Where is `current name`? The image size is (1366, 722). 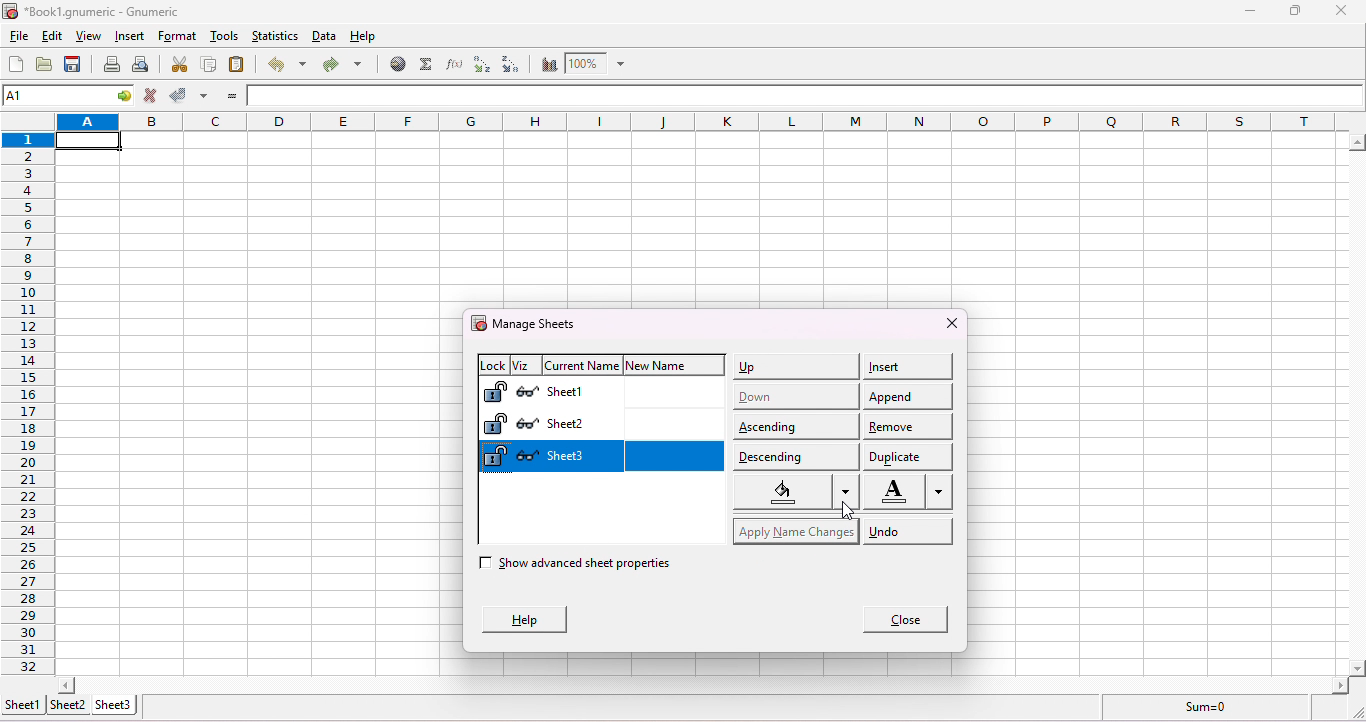
current name is located at coordinates (580, 364).